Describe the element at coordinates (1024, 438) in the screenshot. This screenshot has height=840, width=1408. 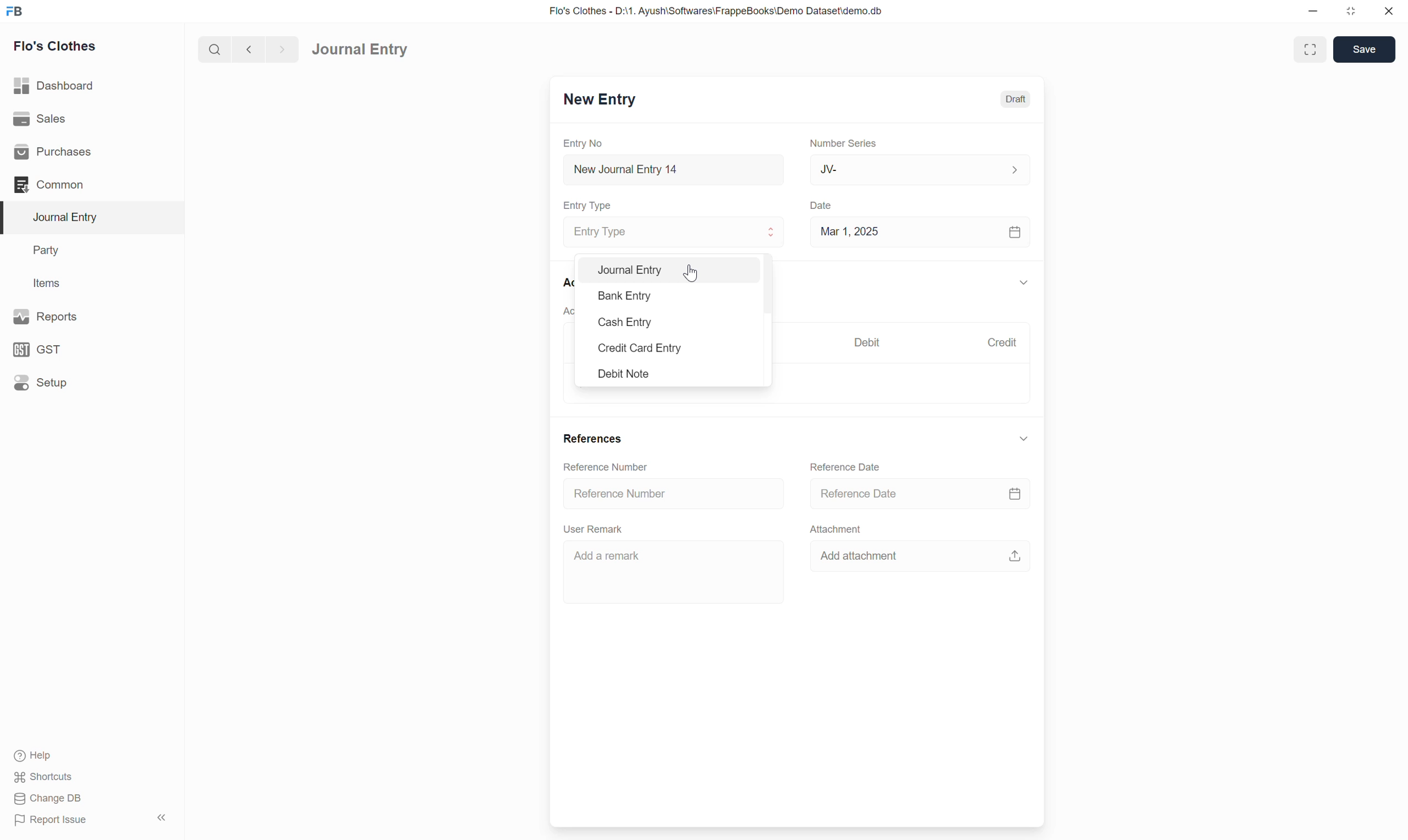
I see `down` at that location.